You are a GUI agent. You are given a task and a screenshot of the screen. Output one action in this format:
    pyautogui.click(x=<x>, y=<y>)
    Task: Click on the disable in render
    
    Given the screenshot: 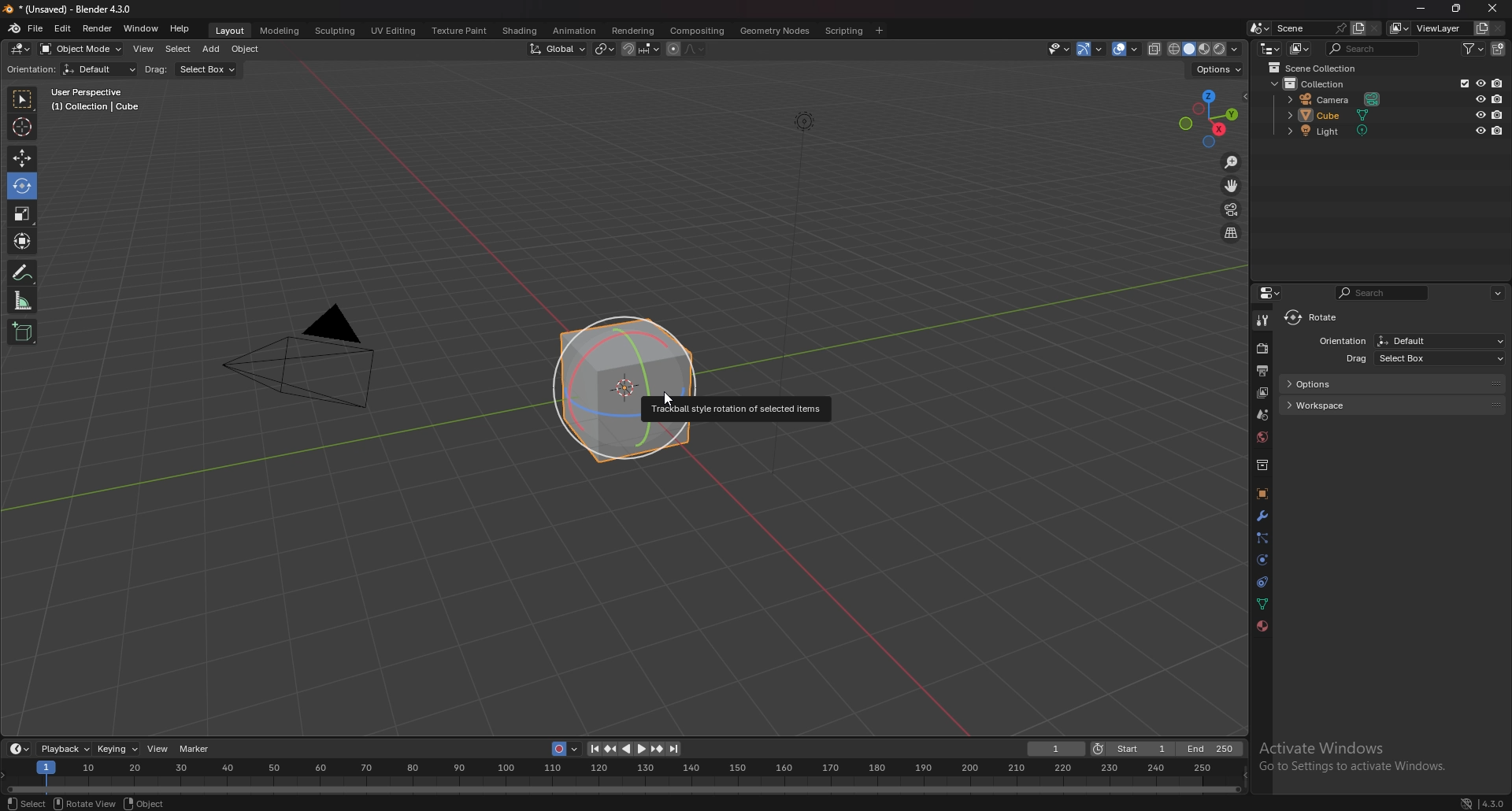 What is the action you would take?
    pyautogui.click(x=1498, y=83)
    